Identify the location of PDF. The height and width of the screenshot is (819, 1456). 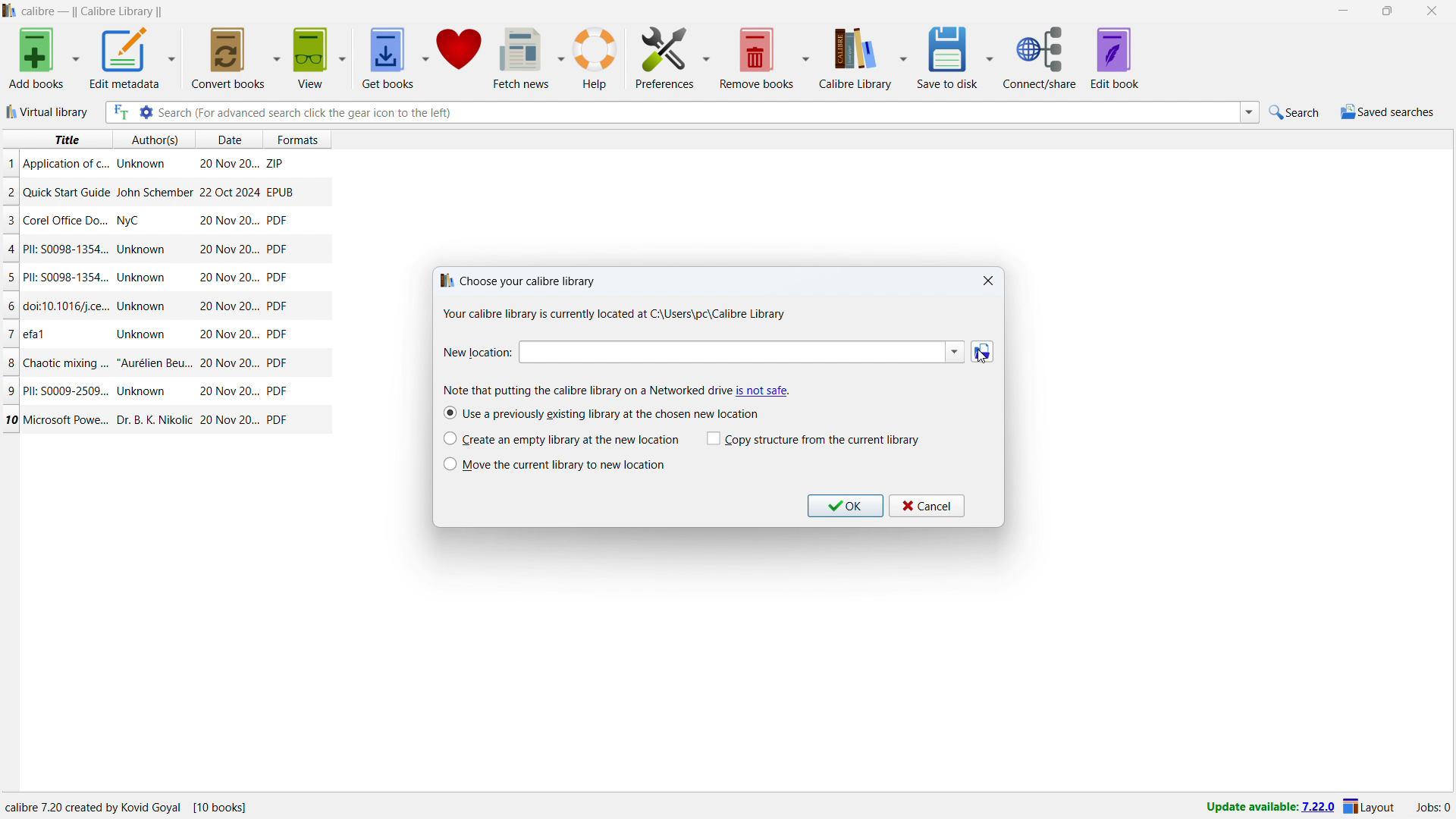
(277, 306).